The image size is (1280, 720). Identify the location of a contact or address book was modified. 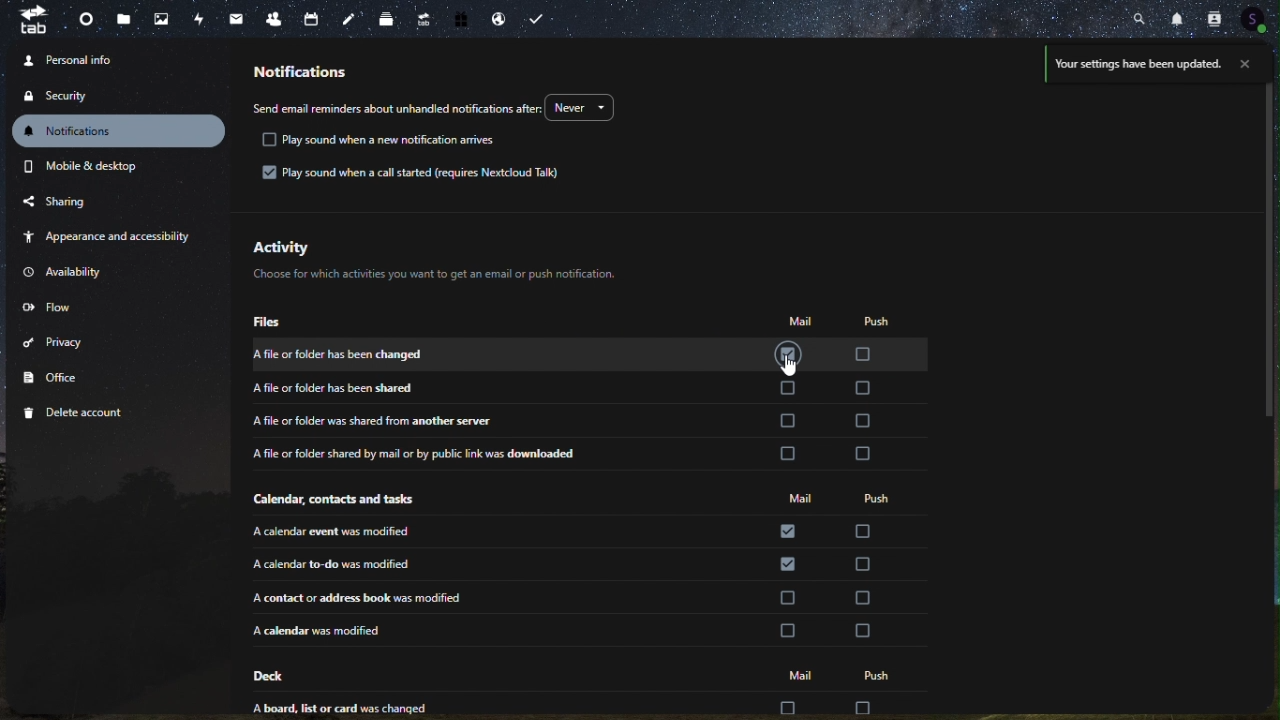
(357, 596).